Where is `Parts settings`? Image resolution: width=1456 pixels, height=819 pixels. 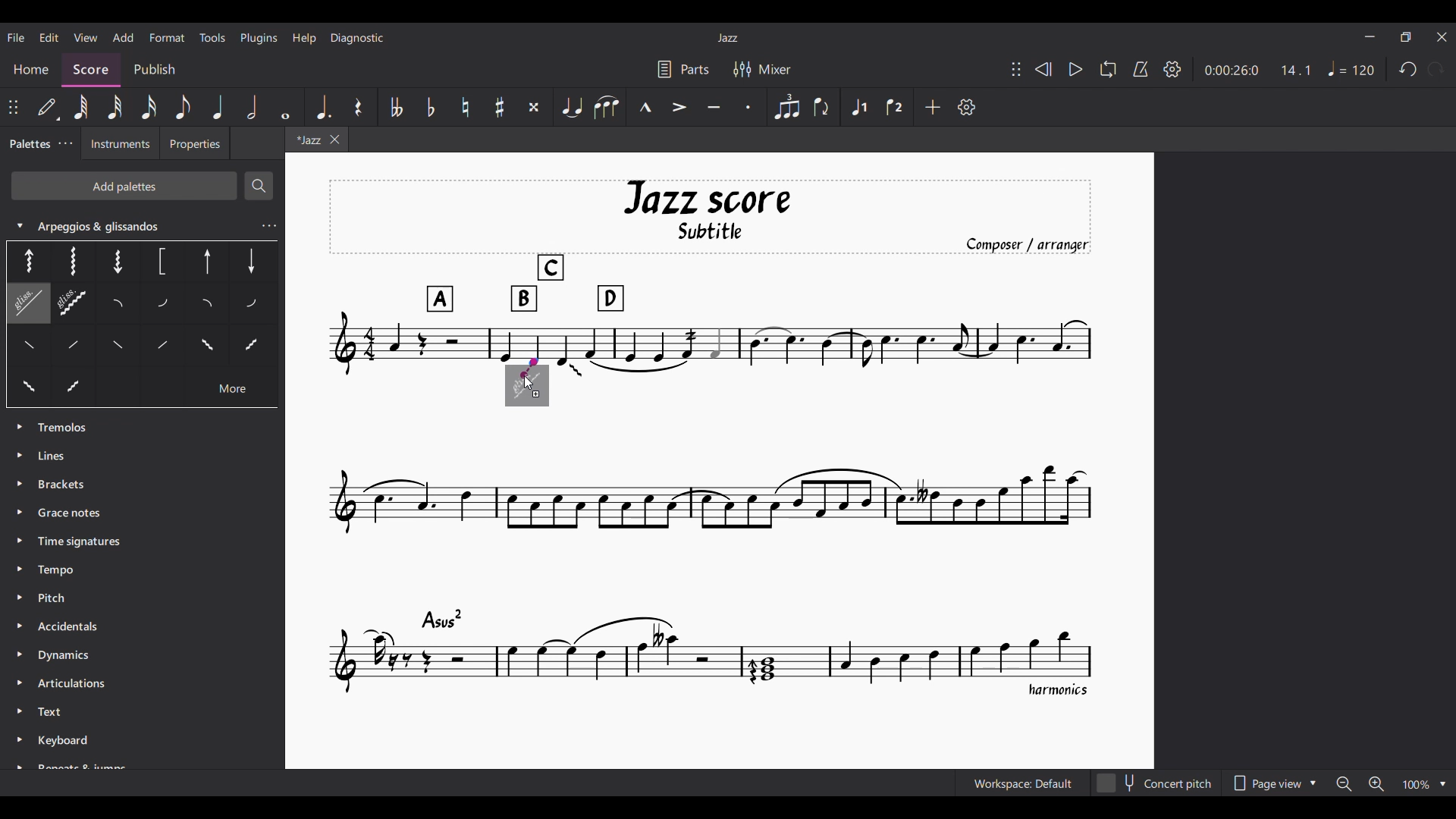 Parts settings is located at coordinates (683, 69).